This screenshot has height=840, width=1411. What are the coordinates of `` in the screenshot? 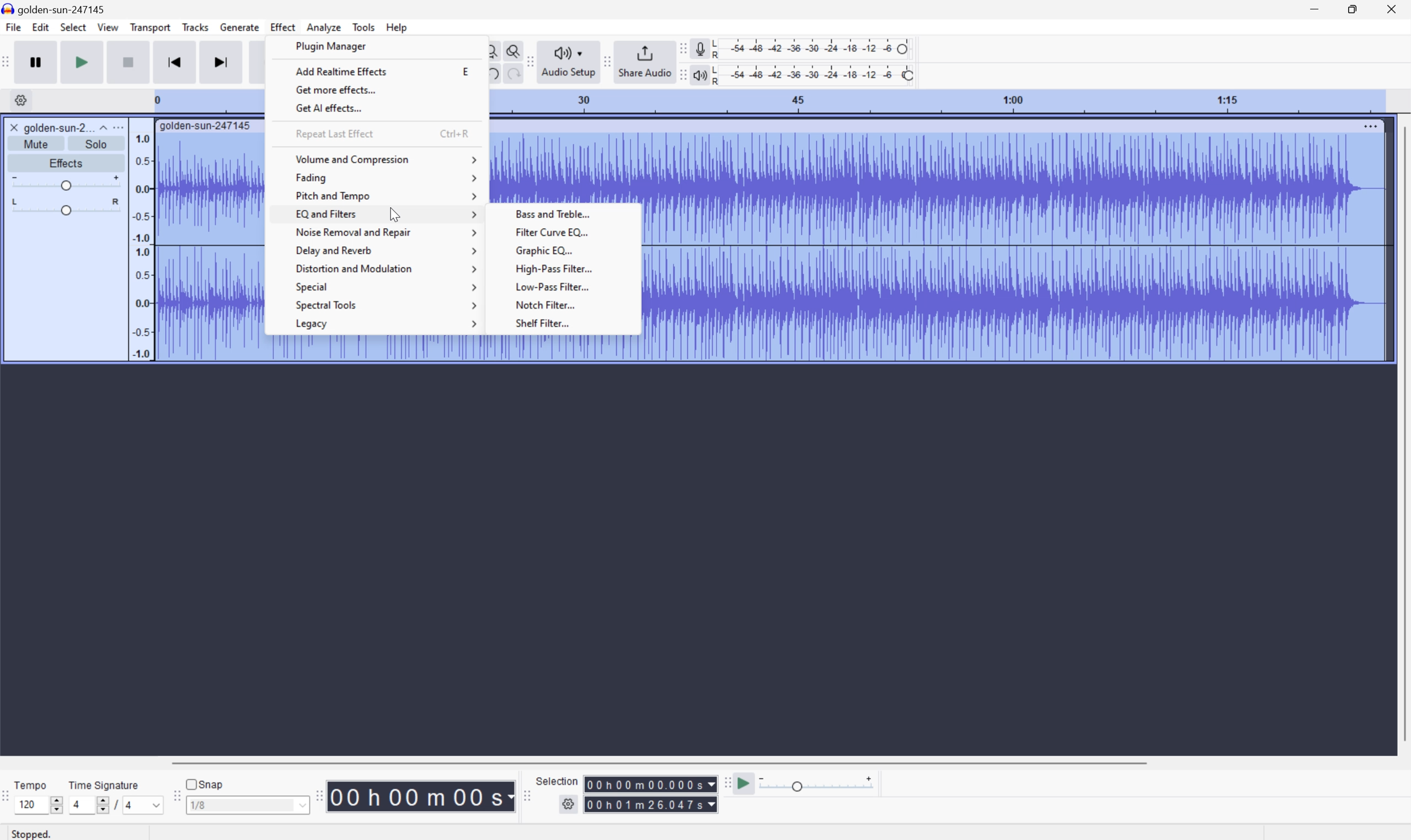 It's located at (510, 75).